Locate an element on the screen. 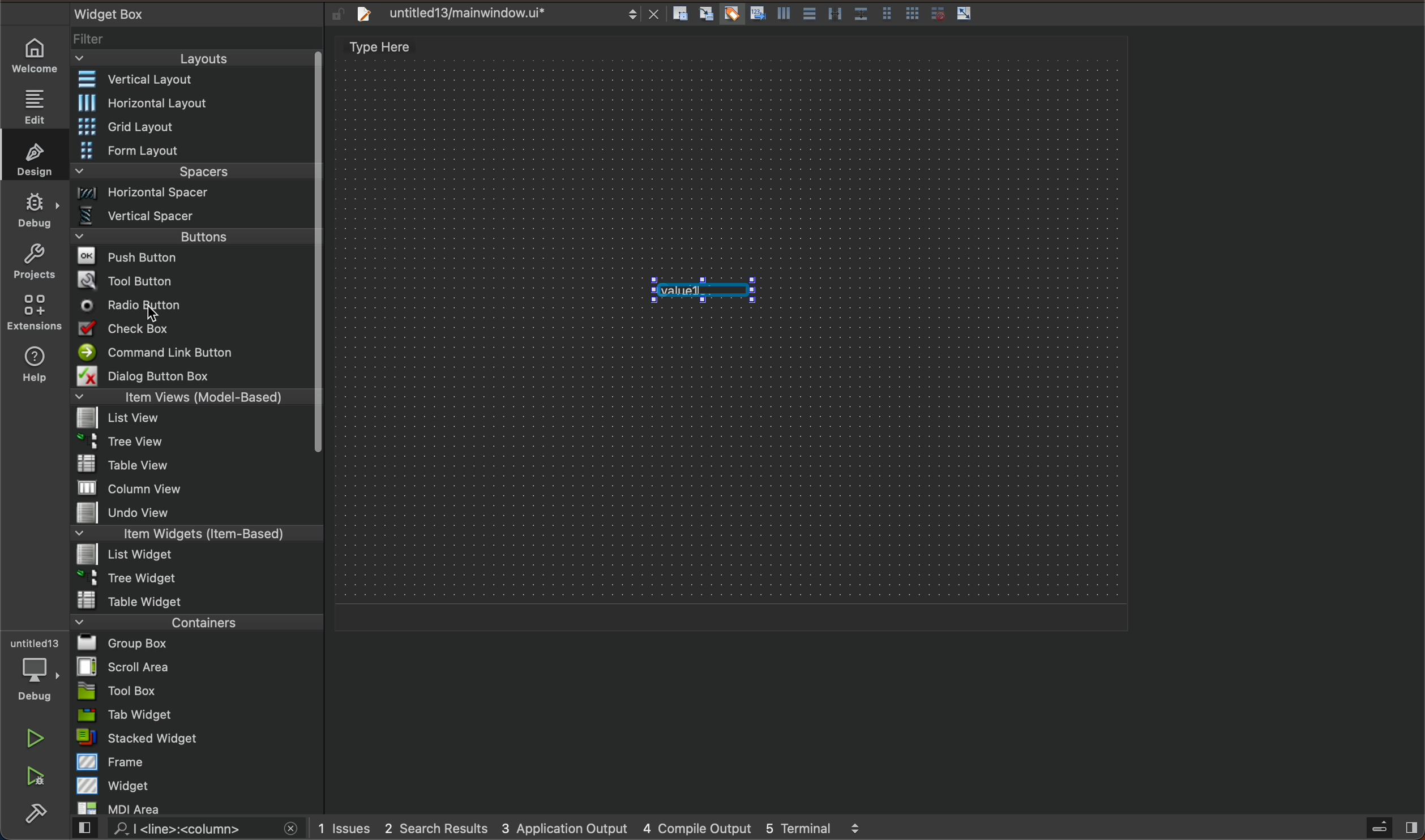 This screenshot has width=1425, height=840. widget box is located at coordinates (181, 13).